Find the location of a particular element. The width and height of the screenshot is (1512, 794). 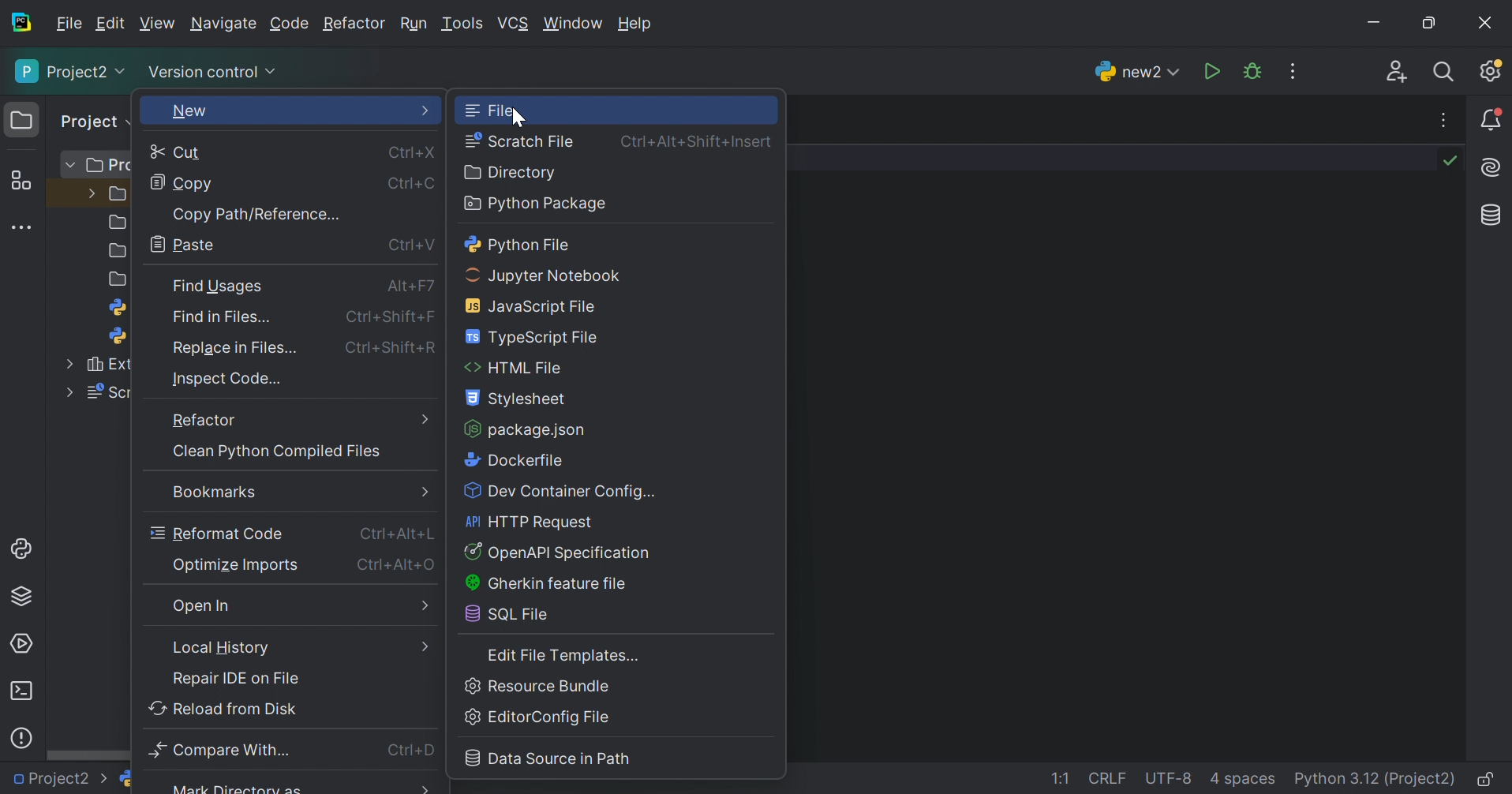

Open API specification is located at coordinates (558, 553).